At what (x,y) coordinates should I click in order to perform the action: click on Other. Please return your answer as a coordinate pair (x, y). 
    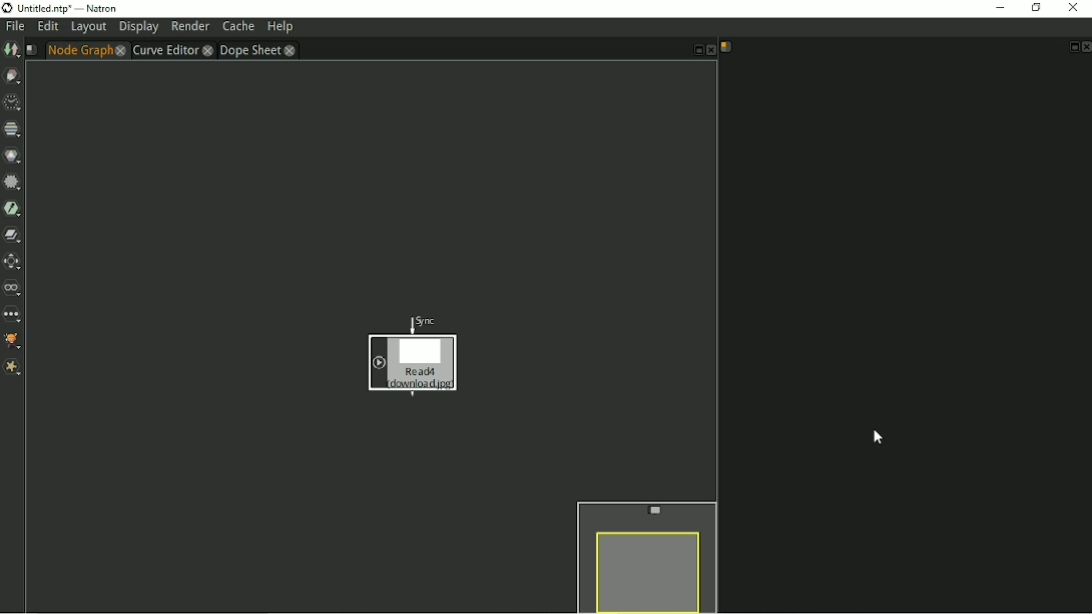
    Looking at the image, I should click on (13, 315).